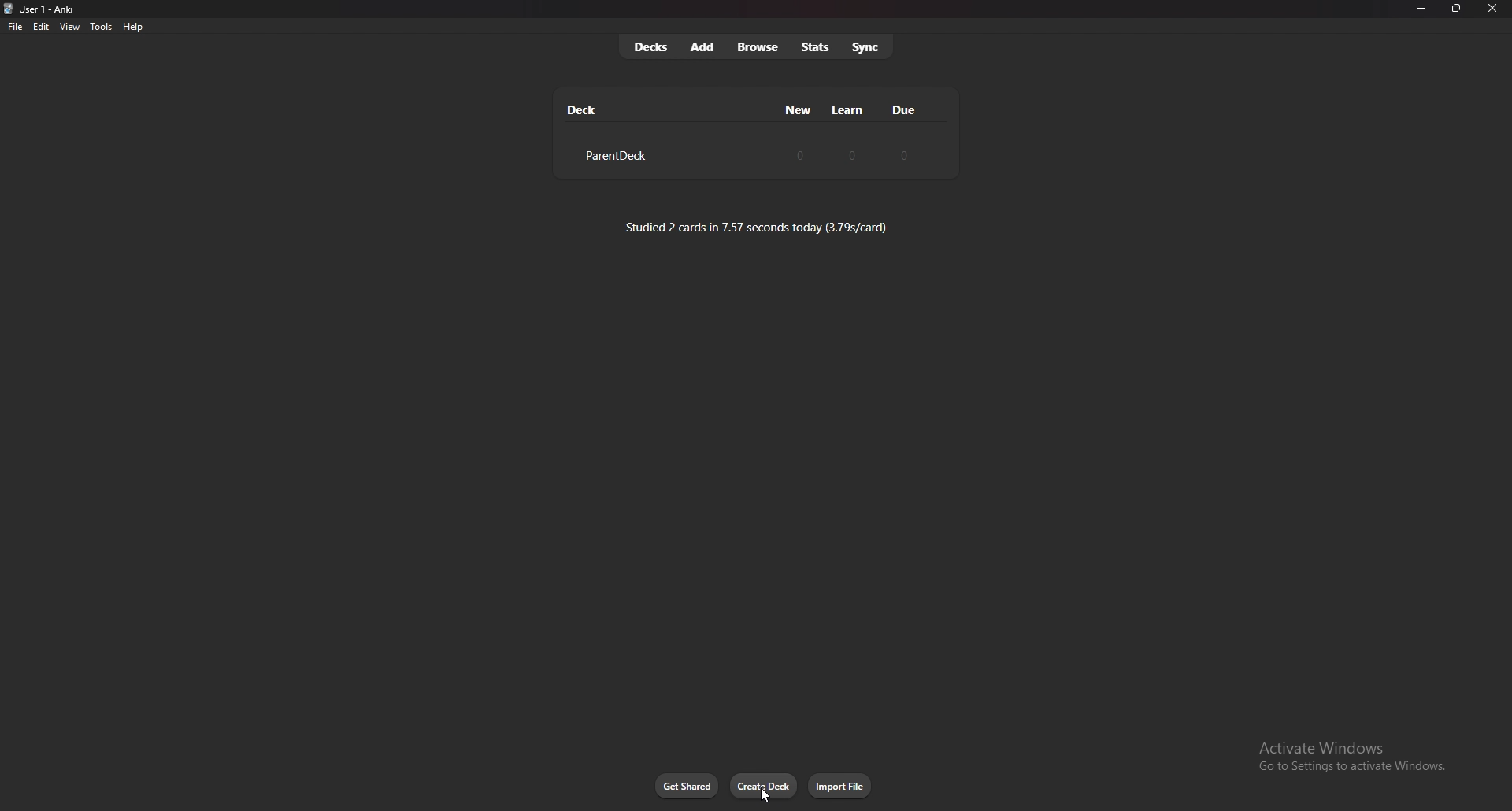 This screenshot has width=1512, height=811. I want to click on edit, so click(39, 28).